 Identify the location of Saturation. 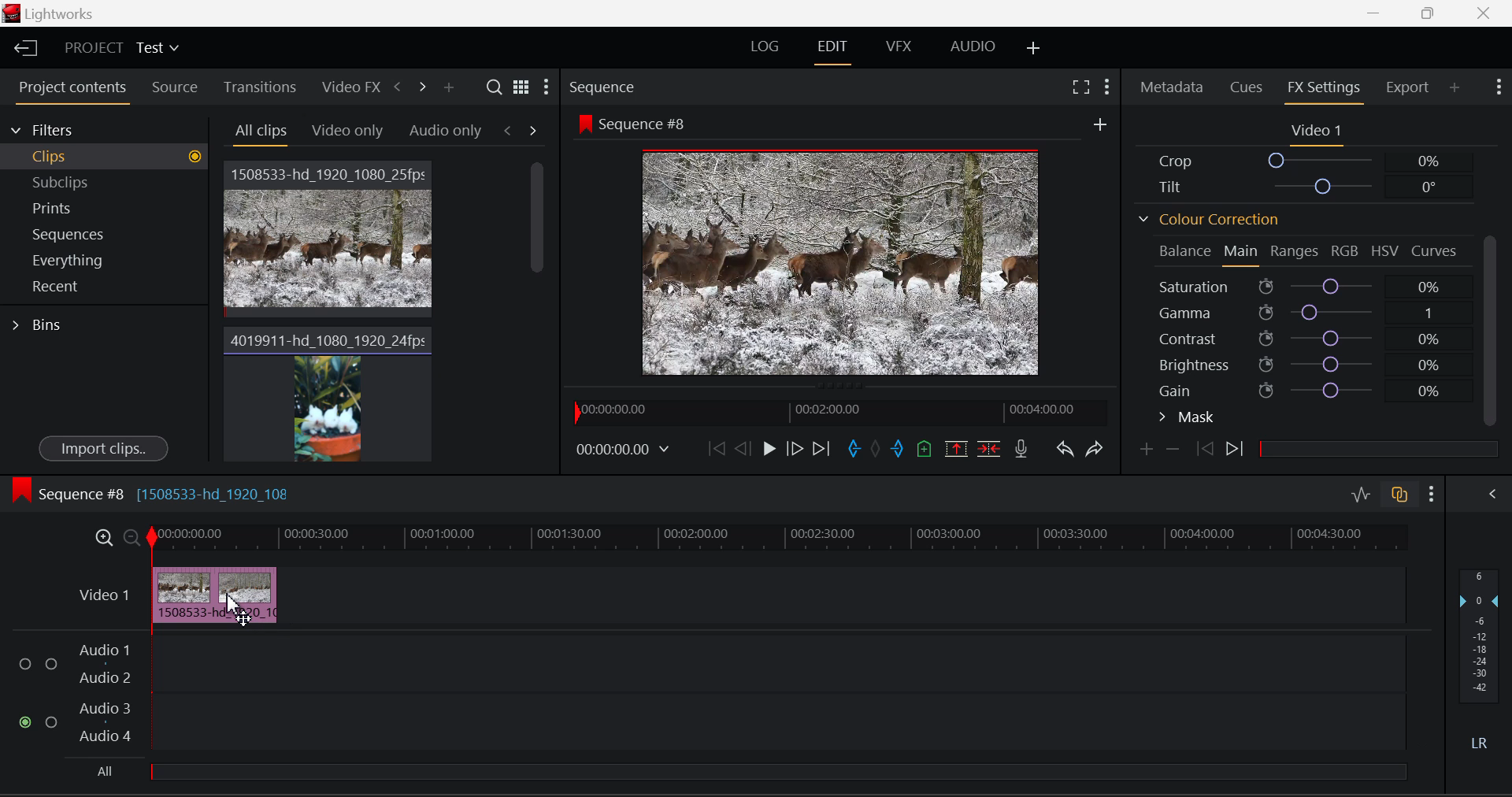
(1298, 286).